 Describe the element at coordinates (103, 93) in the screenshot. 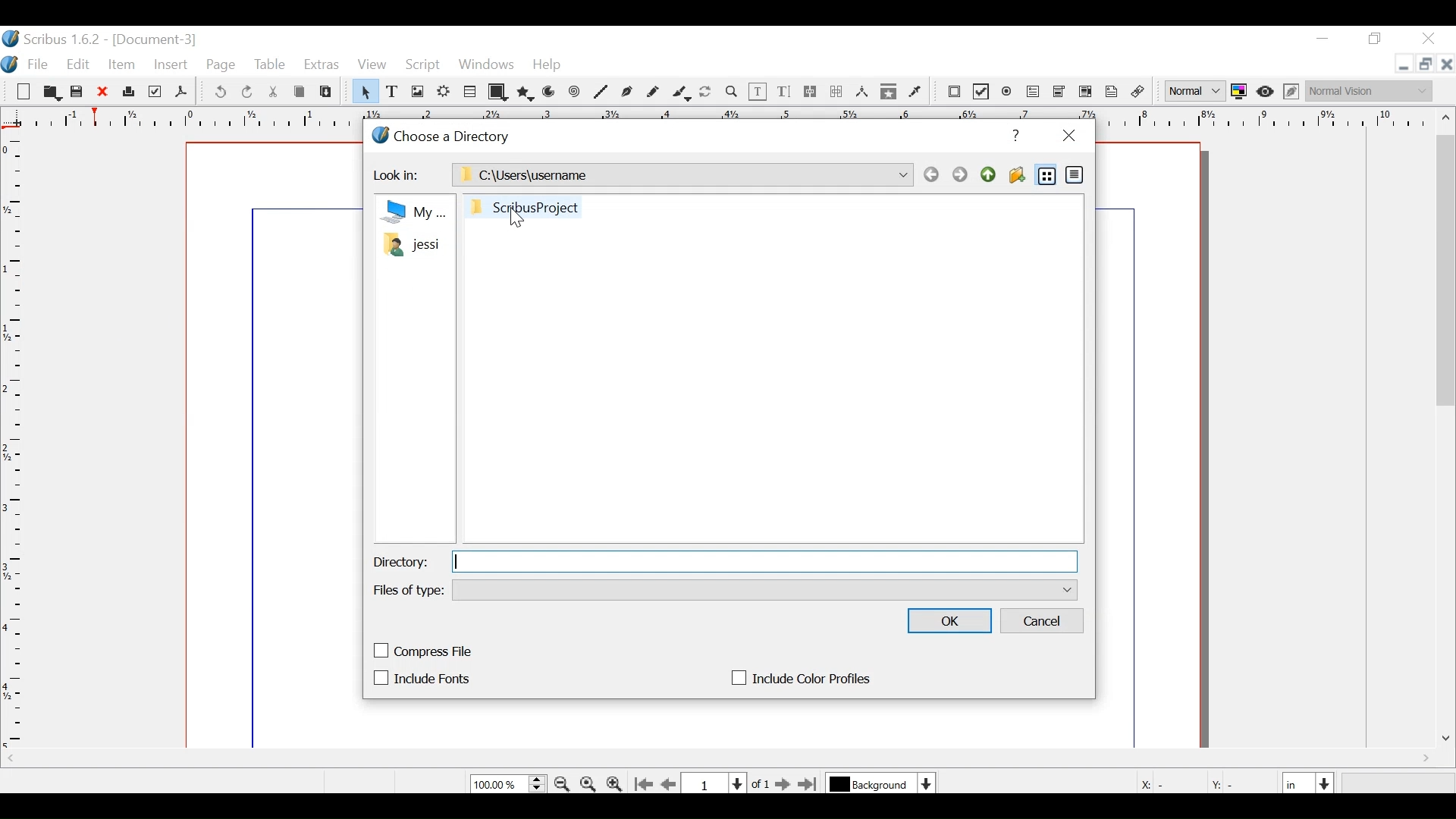

I see `Close` at that location.